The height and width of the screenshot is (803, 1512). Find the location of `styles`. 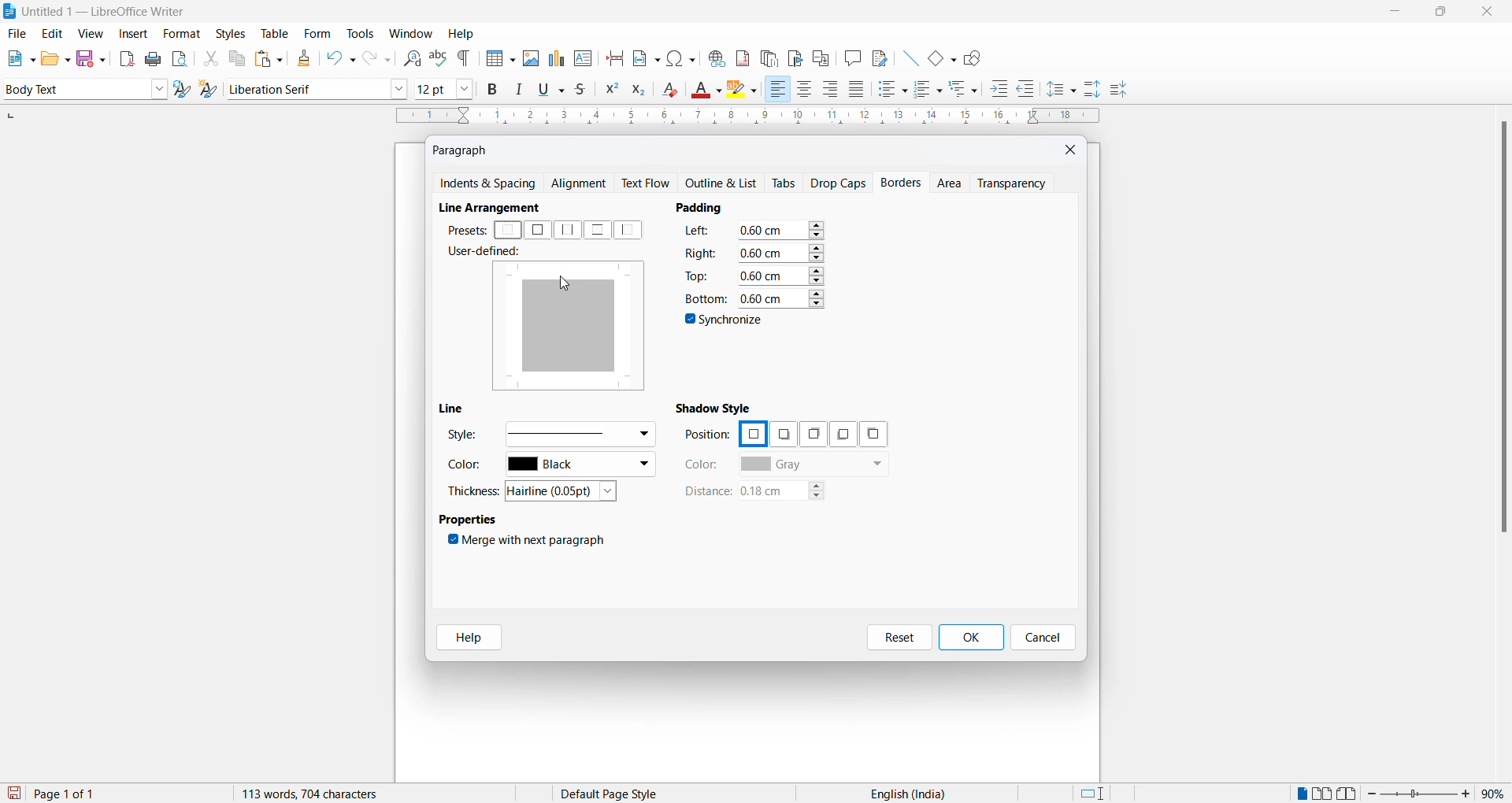

styles is located at coordinates (230, 32).